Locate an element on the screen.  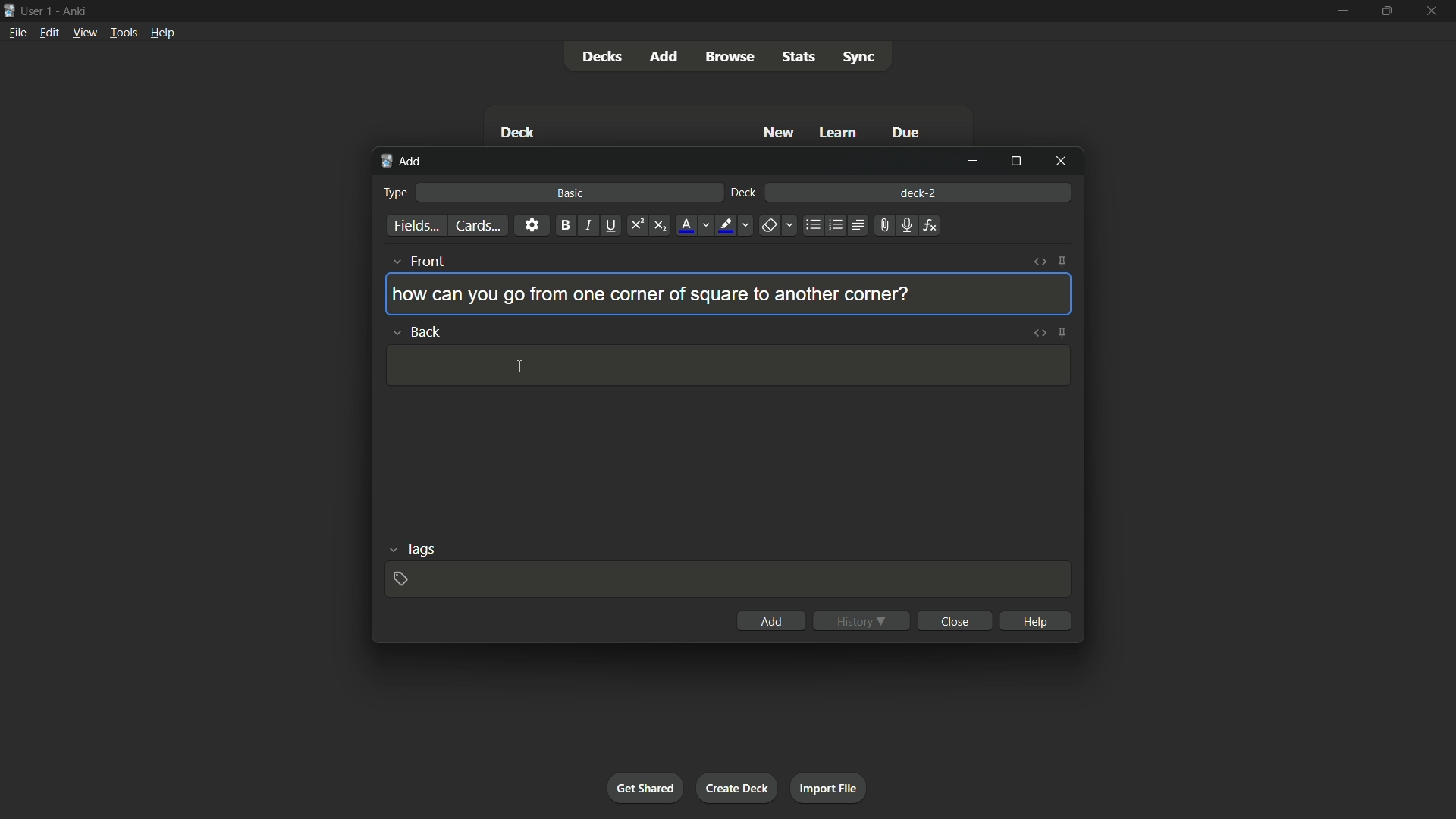
font color is located at coordinates (692, 227).